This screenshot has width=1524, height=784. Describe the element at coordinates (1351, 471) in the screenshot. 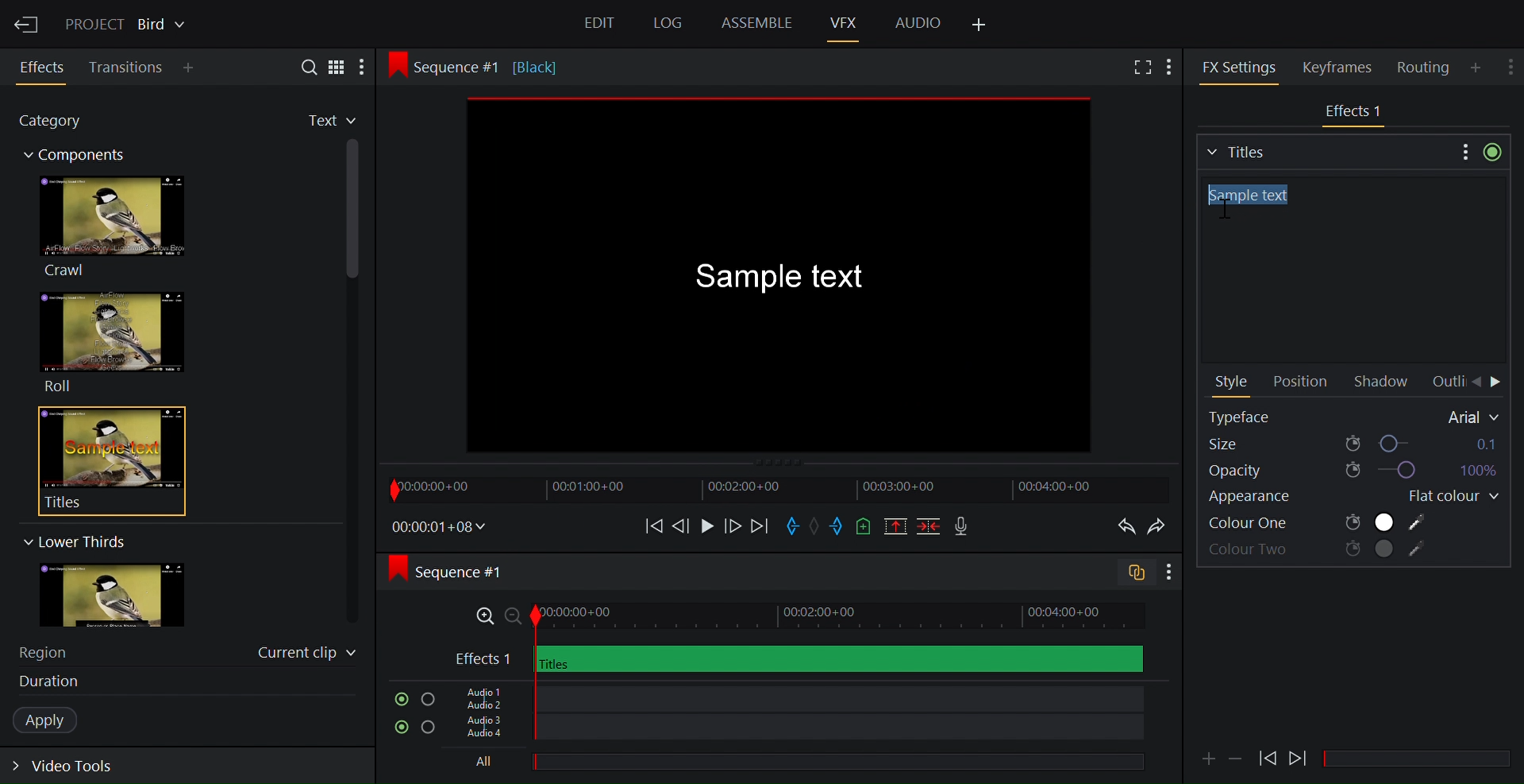

I see `Opacity` at that location.